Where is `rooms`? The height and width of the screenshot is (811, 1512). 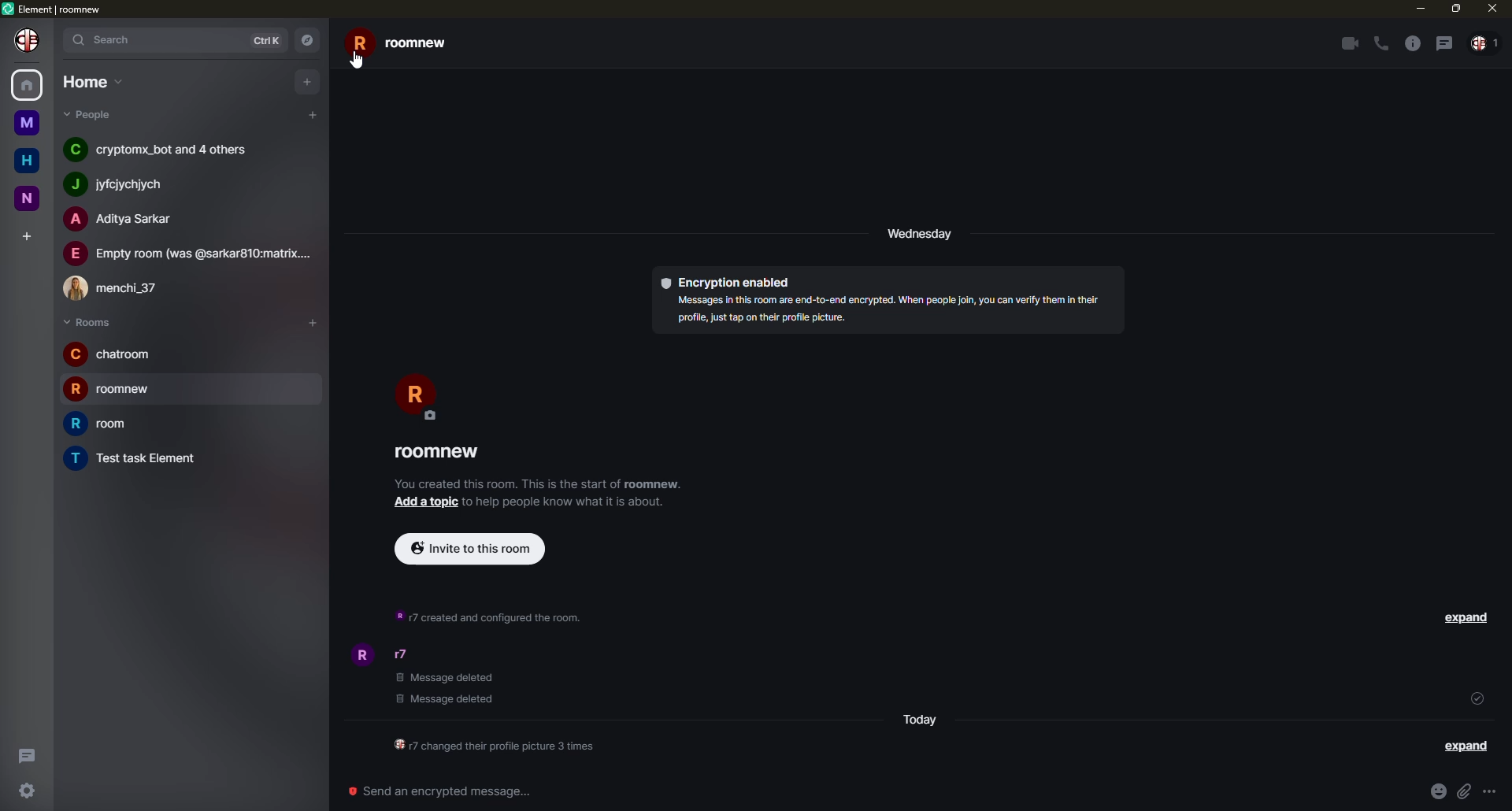 rooms is located at coordinates (87, 321).